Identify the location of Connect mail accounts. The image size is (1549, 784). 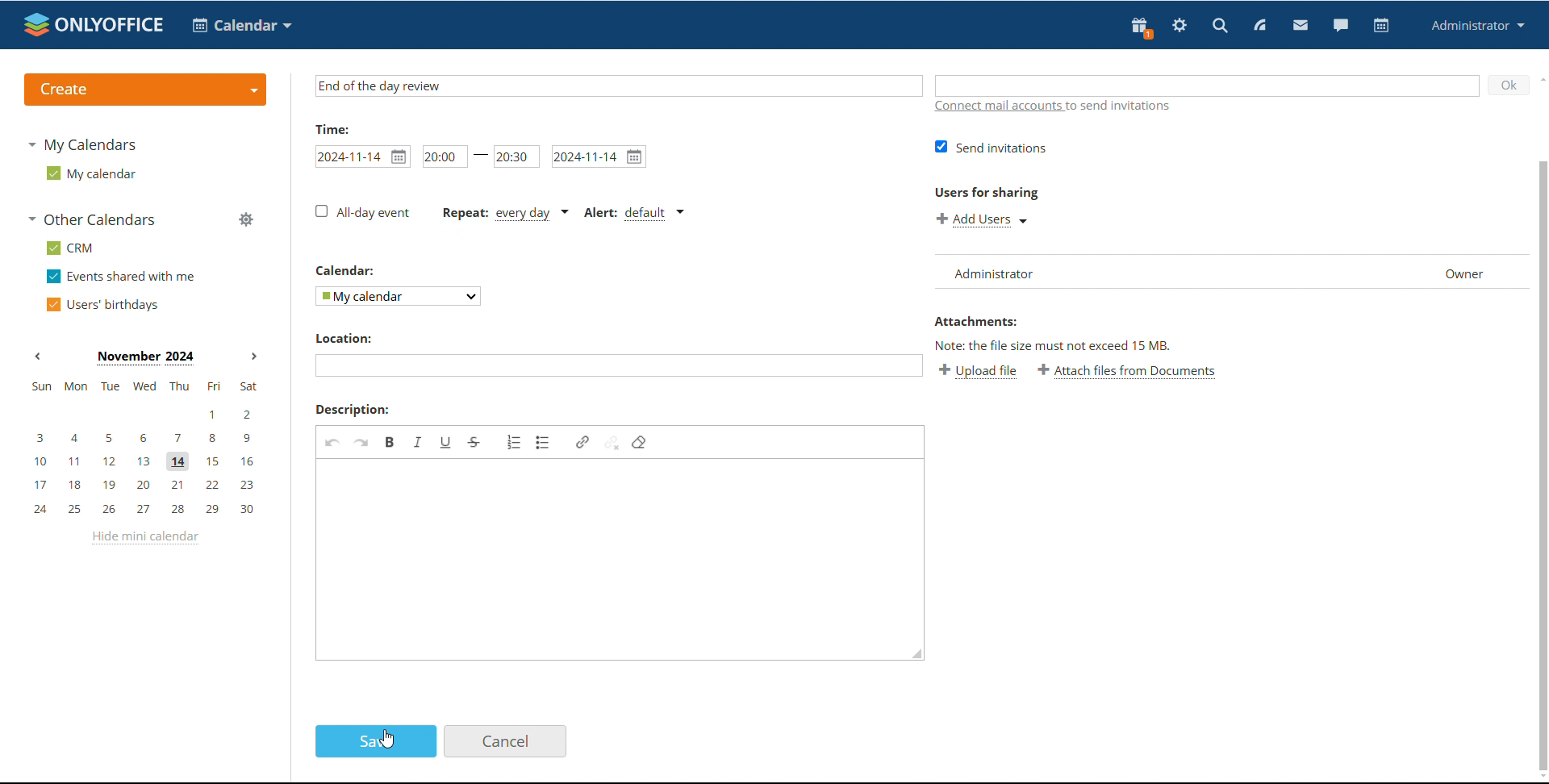
(1079, 109).